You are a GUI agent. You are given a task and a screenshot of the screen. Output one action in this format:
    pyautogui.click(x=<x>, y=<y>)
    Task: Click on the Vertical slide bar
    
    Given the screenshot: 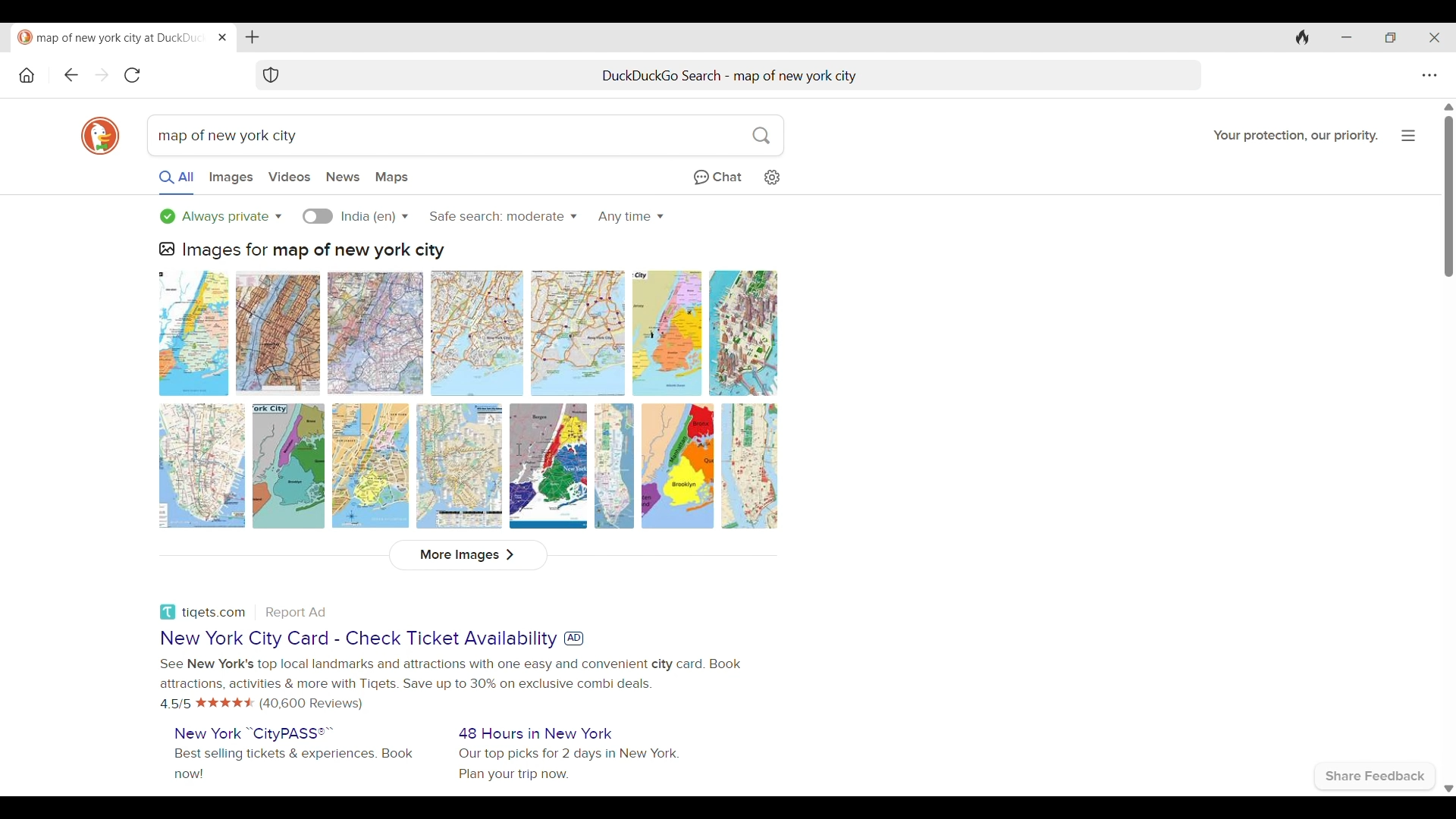 What is the action you would take?
    pyautogui.click(x=1449, y=197)
    